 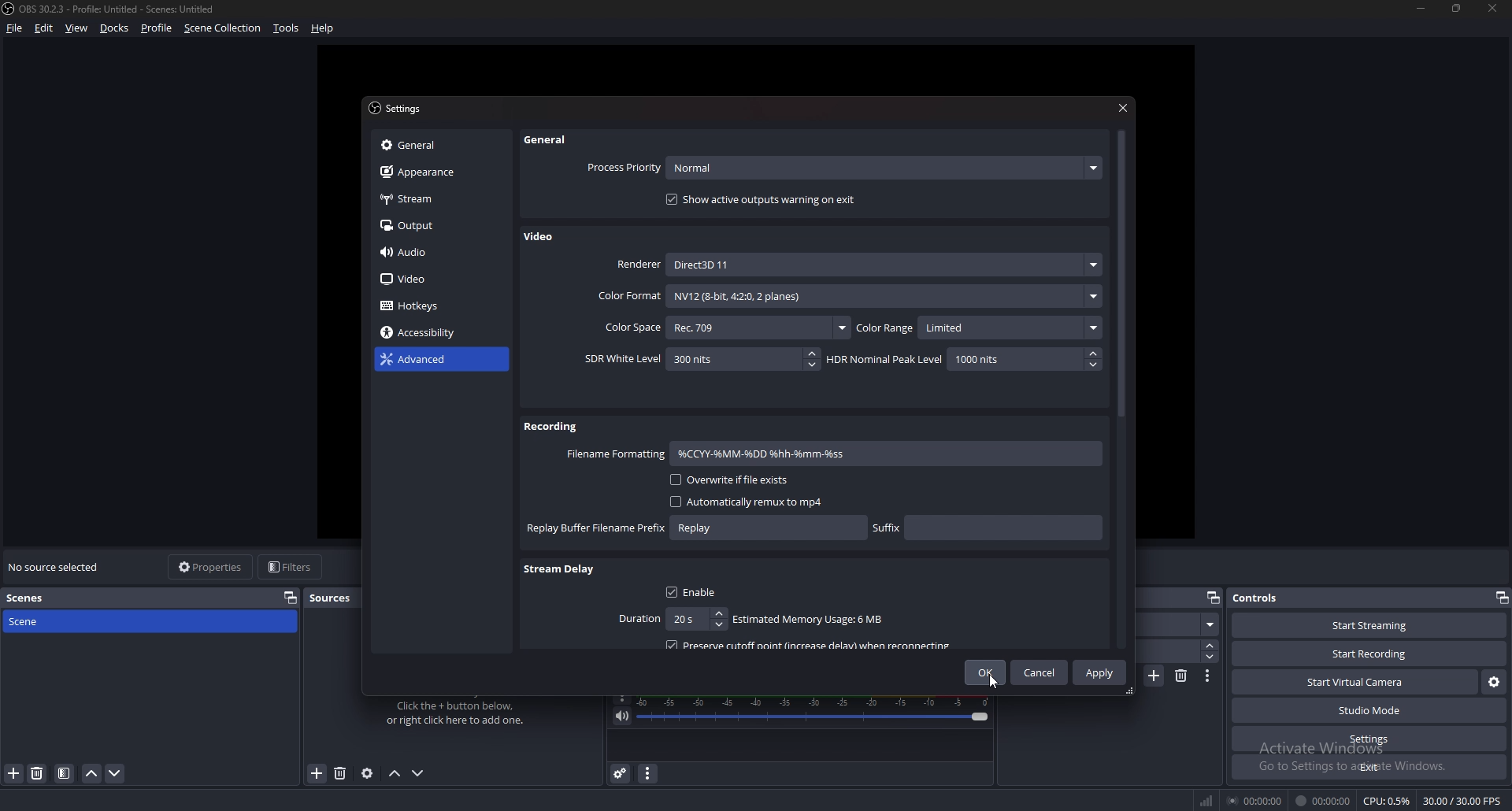 What do you see at coordinates (115, 28) in the screenshot?
I see `docks` at bounding box center [115, 28].